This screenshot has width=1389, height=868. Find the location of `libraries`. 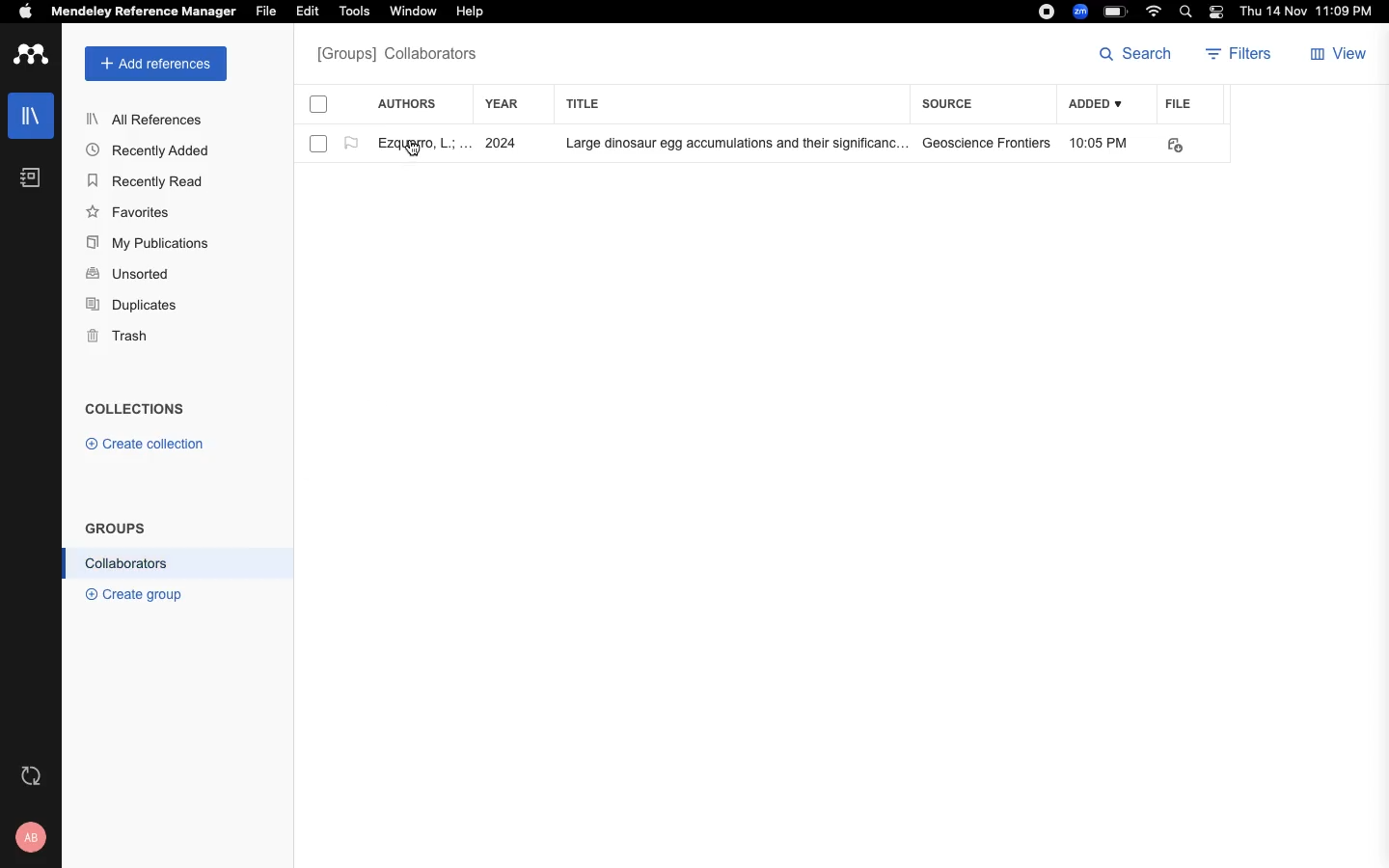

libraries is located at coordinates (29, 114).